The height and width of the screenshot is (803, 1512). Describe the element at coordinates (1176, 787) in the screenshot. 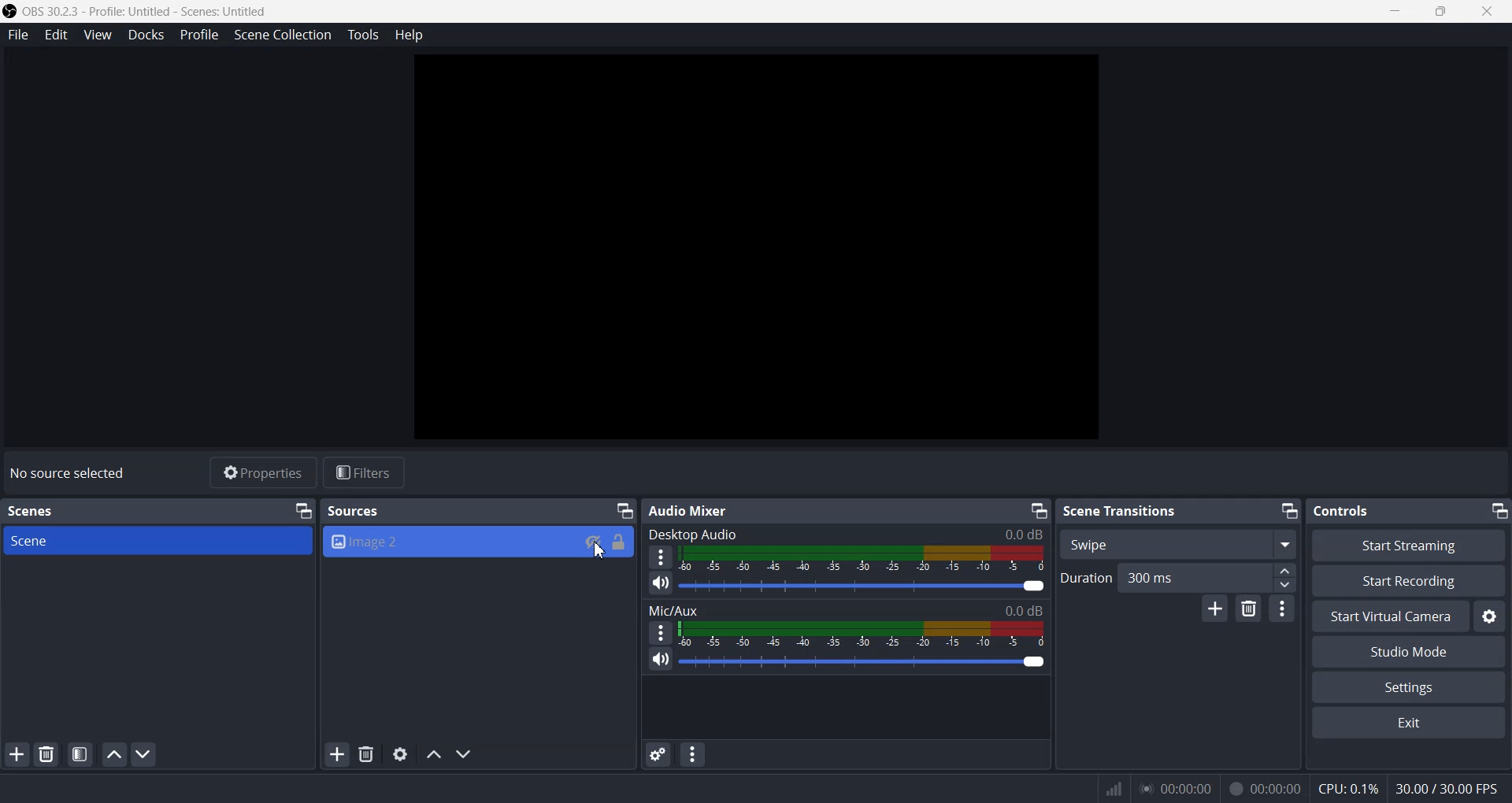

I see `00.00.00` at that location.